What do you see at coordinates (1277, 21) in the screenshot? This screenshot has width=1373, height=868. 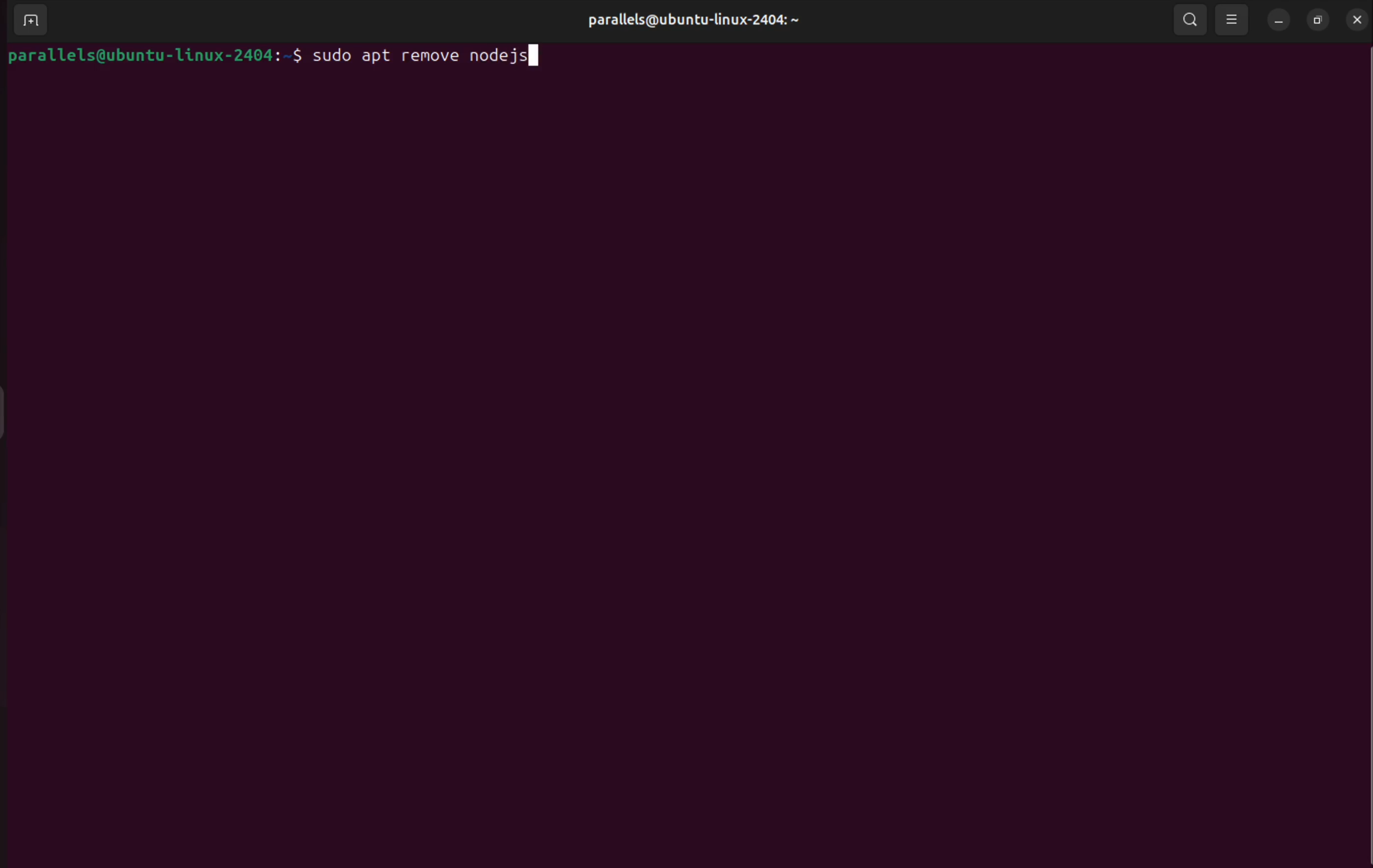 I see `minimize` at bounding box center [1277, 21].